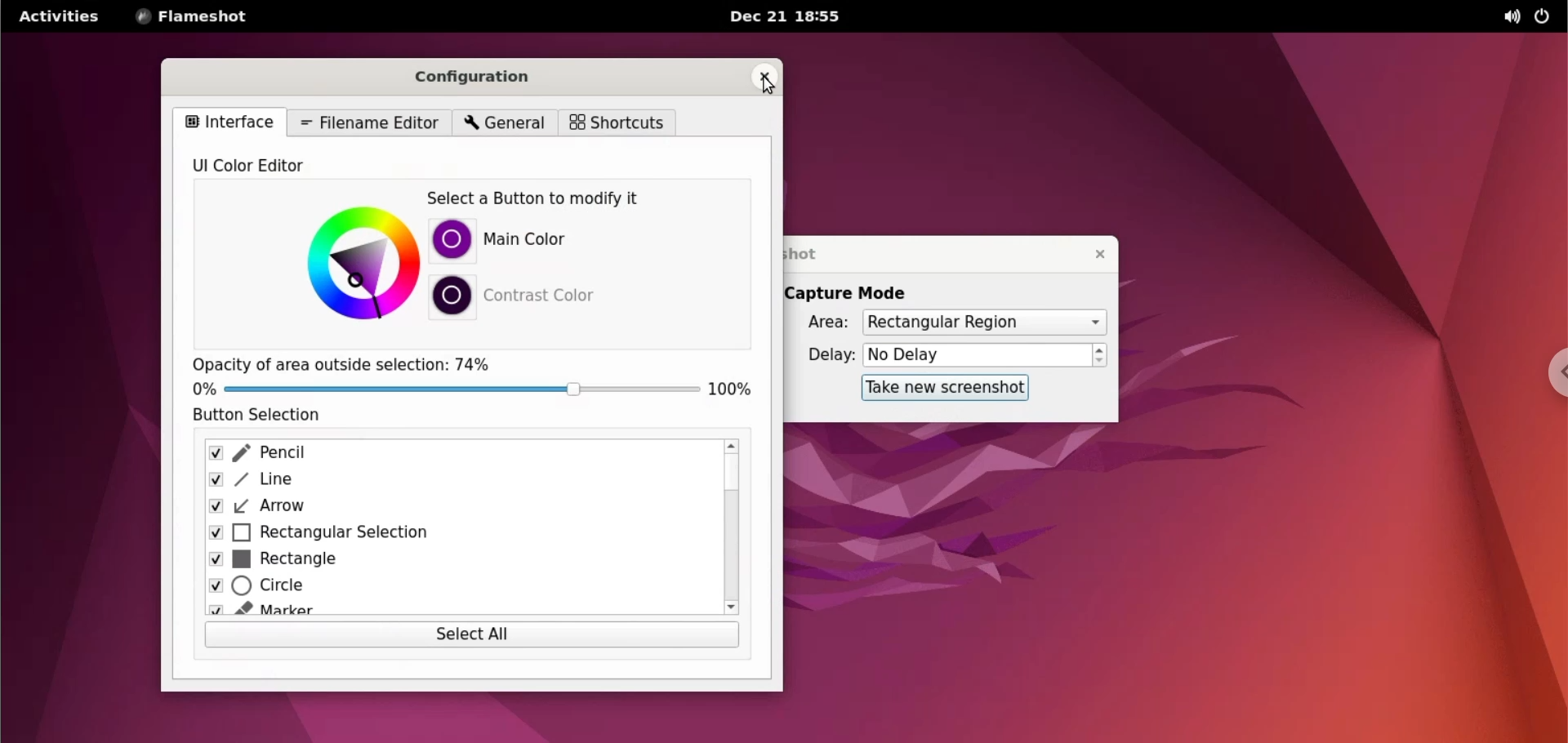 This screenshot has width=1568, height=743. What do you see at coordinates (825, 354) in the screenshot?
I see `delay` at bounding box center [825, 354].